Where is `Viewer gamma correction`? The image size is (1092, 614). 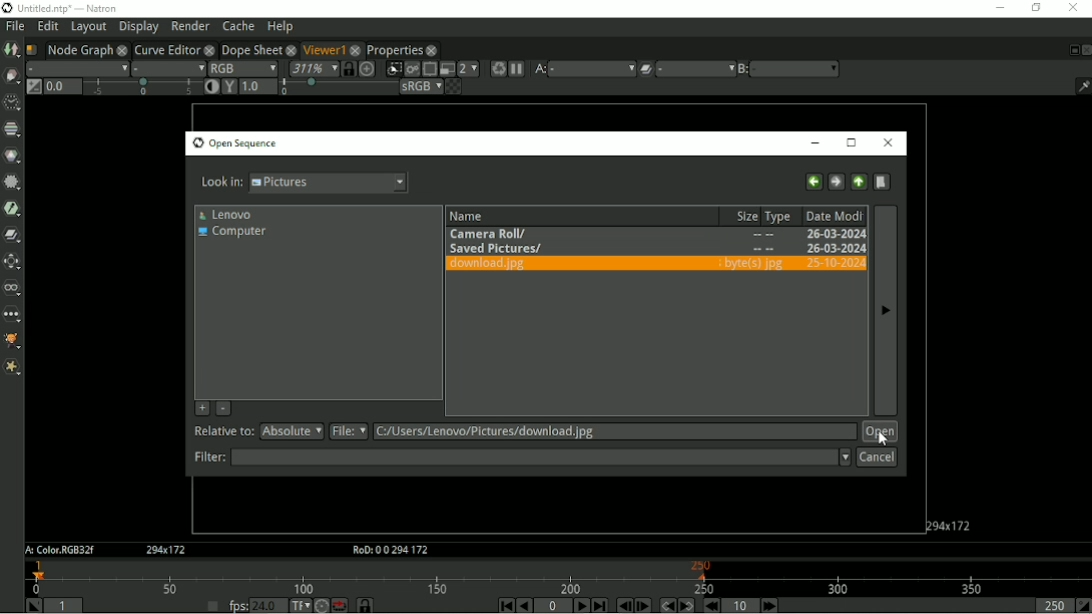 Viewer gamma correction is located at coordinates (259, 86).